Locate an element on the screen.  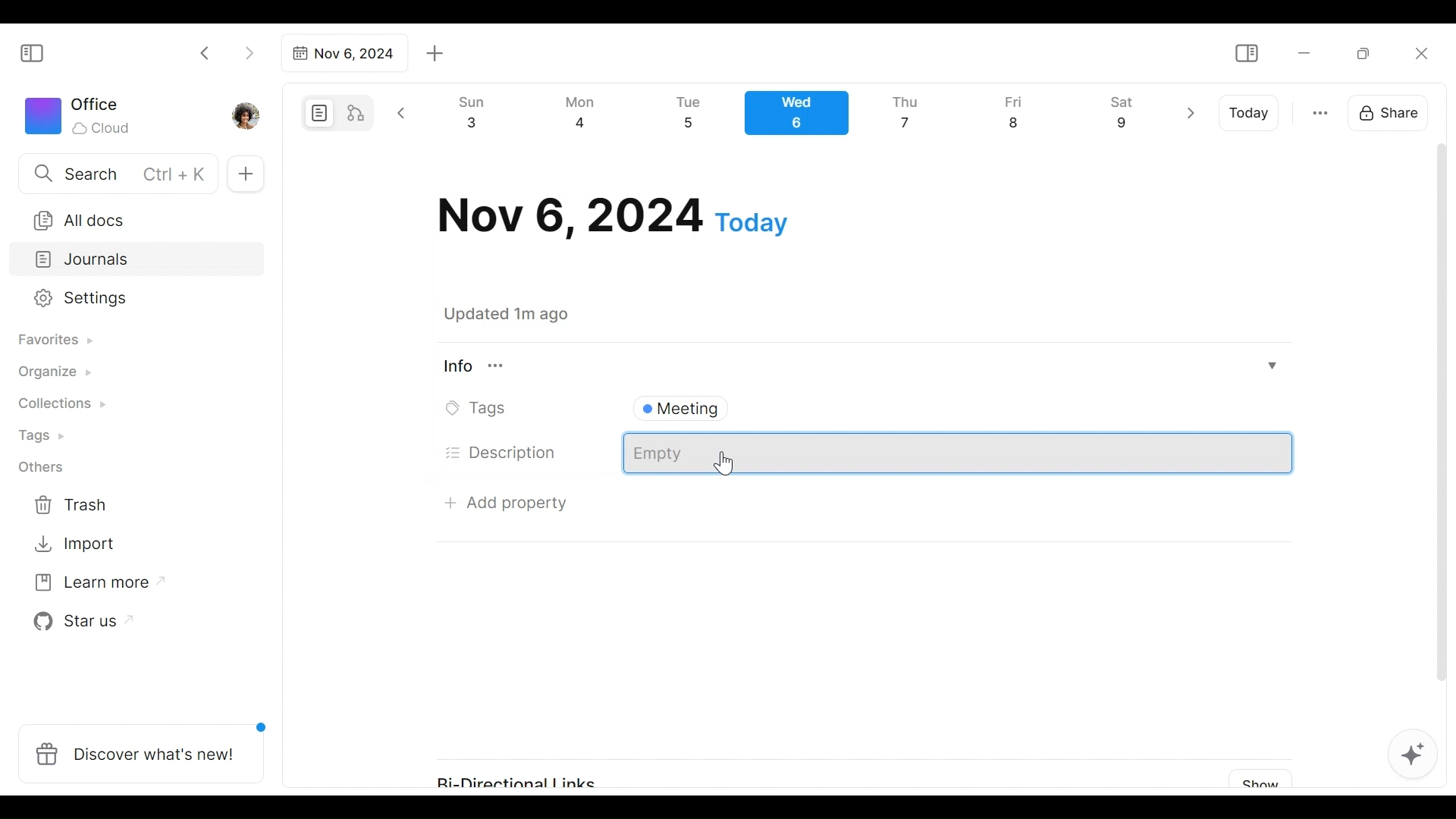
Learn more is located at coordinates (92, 585).